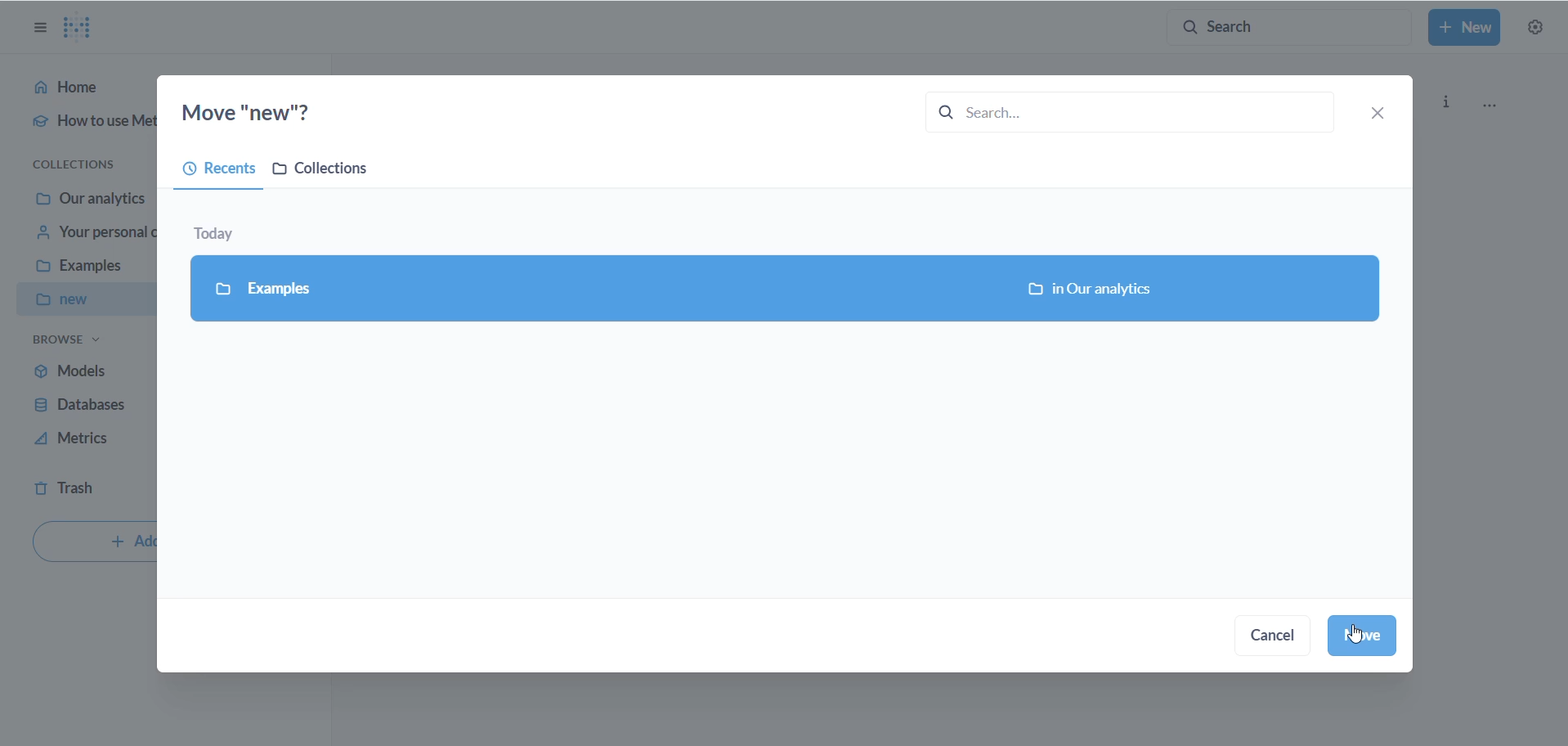  Describe the element at coordinates (81, 370) in the screenshot. I see `models` at that location.